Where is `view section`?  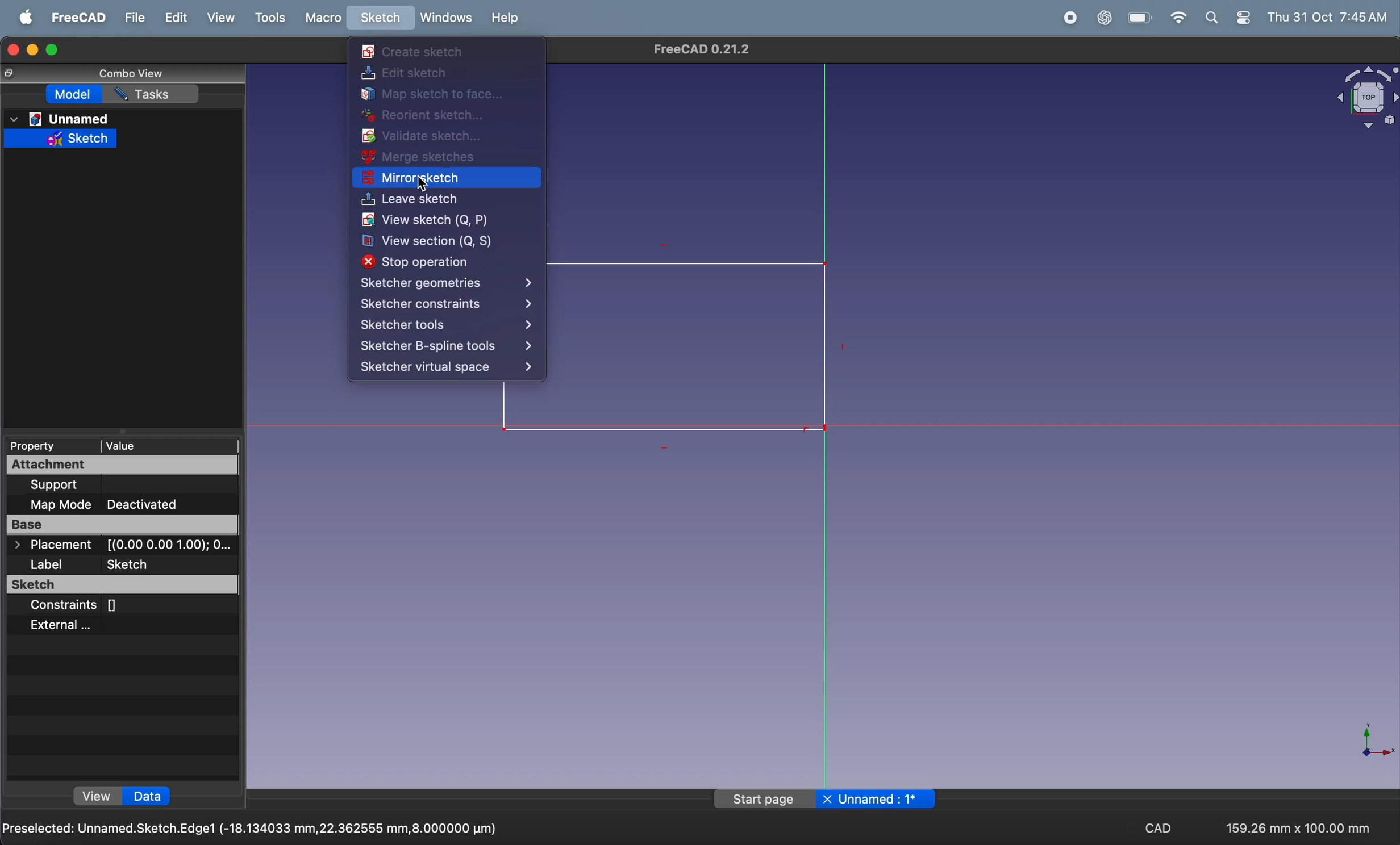
view section is located at coordinates (442, 241).